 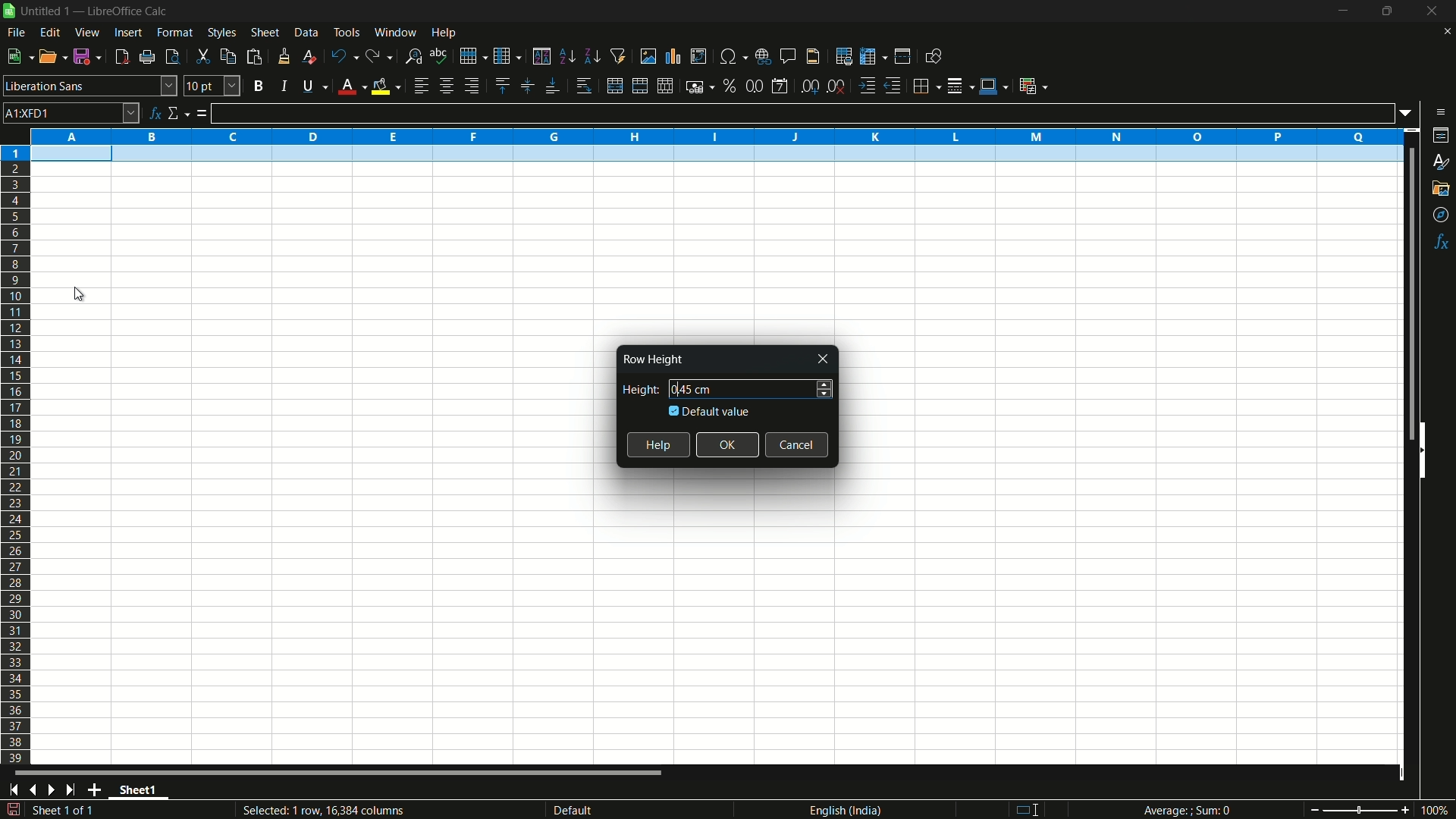 I want to click on window menu, so click(x=395, y=32).